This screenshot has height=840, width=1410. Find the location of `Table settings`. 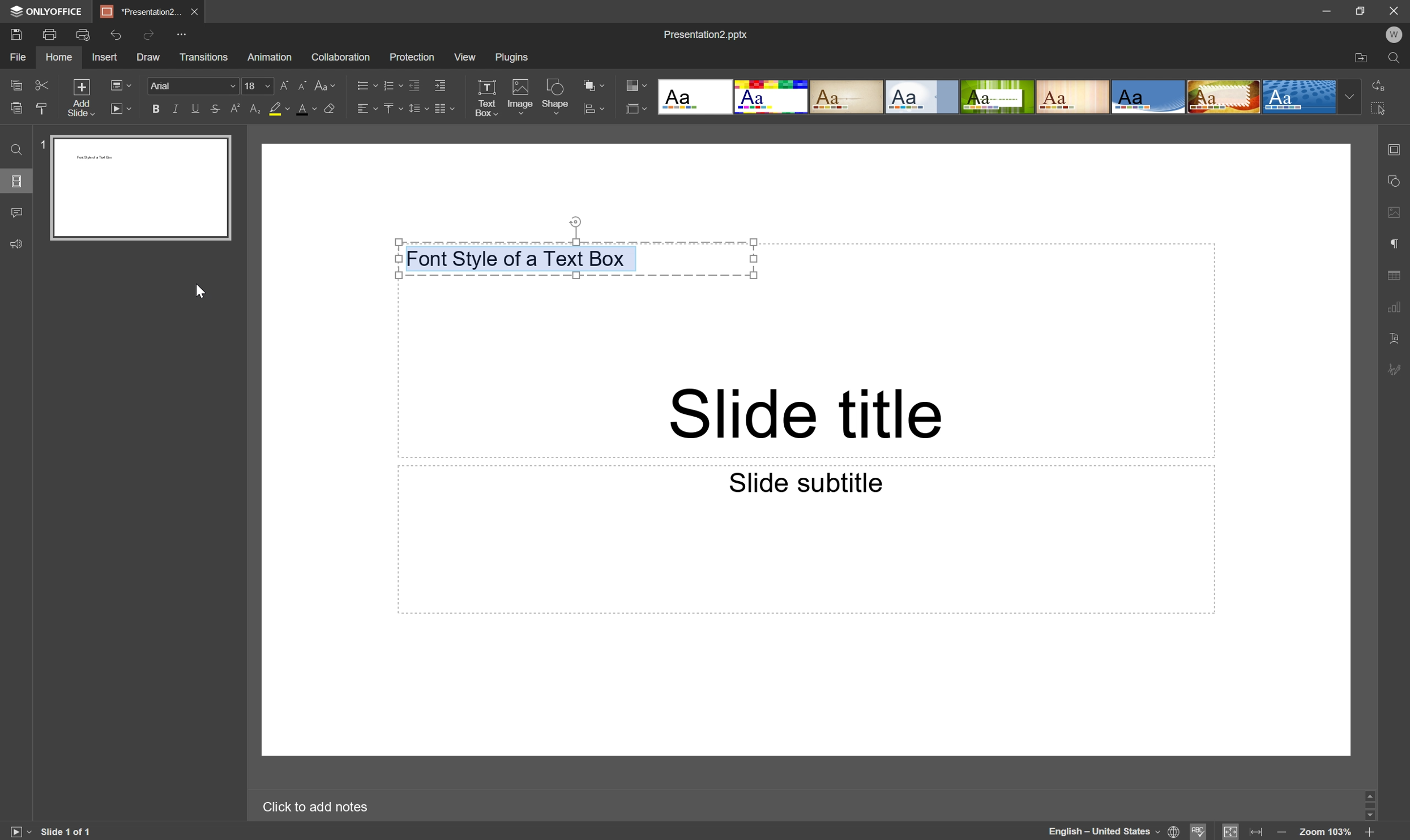

Table settings is located at coordinates (1399, 274).